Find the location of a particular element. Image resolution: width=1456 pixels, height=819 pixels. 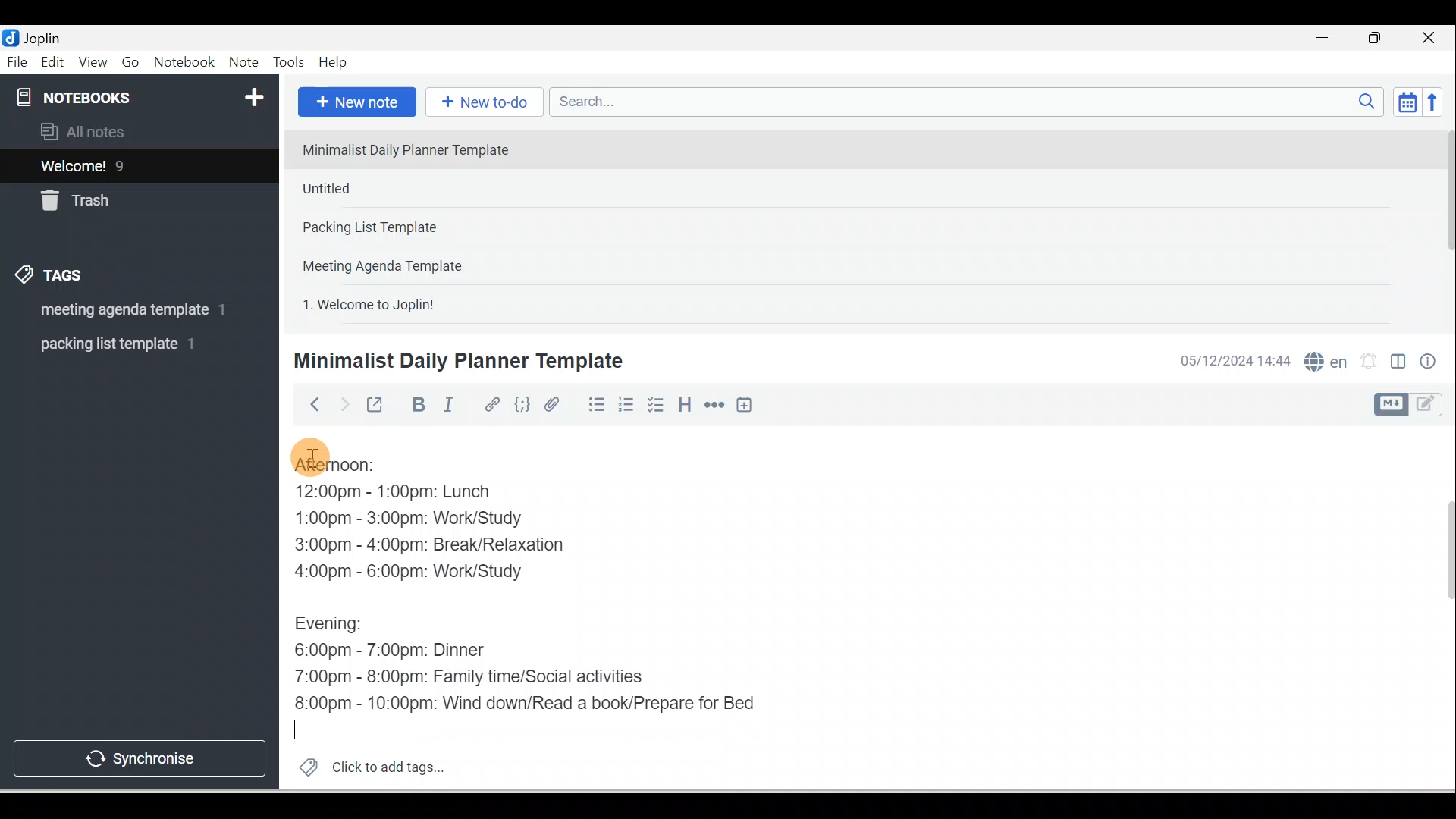

Scroll bar is located at coordinates (1439, 608).